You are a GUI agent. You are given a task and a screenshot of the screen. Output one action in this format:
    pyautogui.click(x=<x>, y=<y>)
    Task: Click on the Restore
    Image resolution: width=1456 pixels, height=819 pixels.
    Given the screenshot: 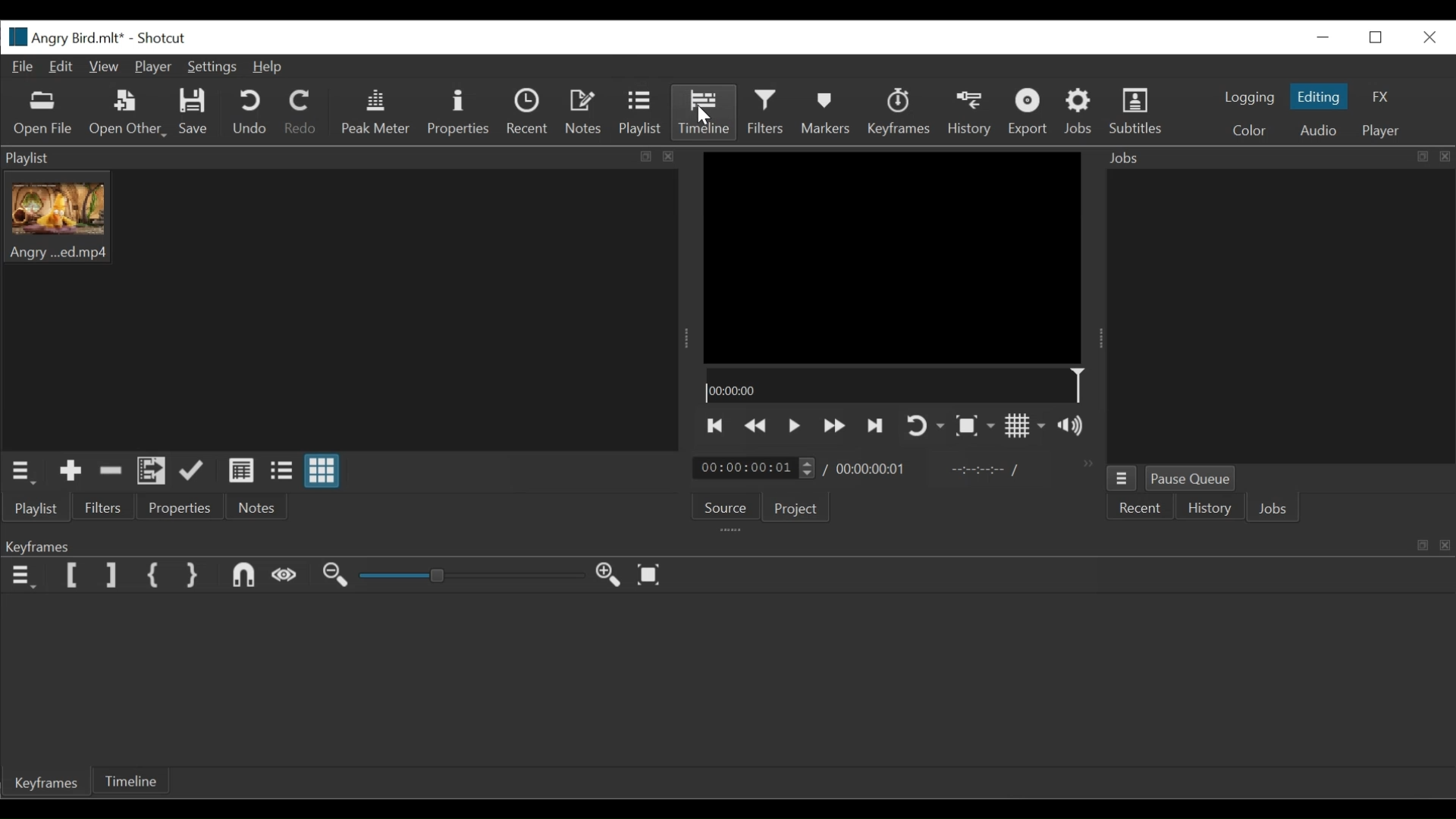 What is the action you would take?
    pyautogui.click(x=1375, y=37)
    